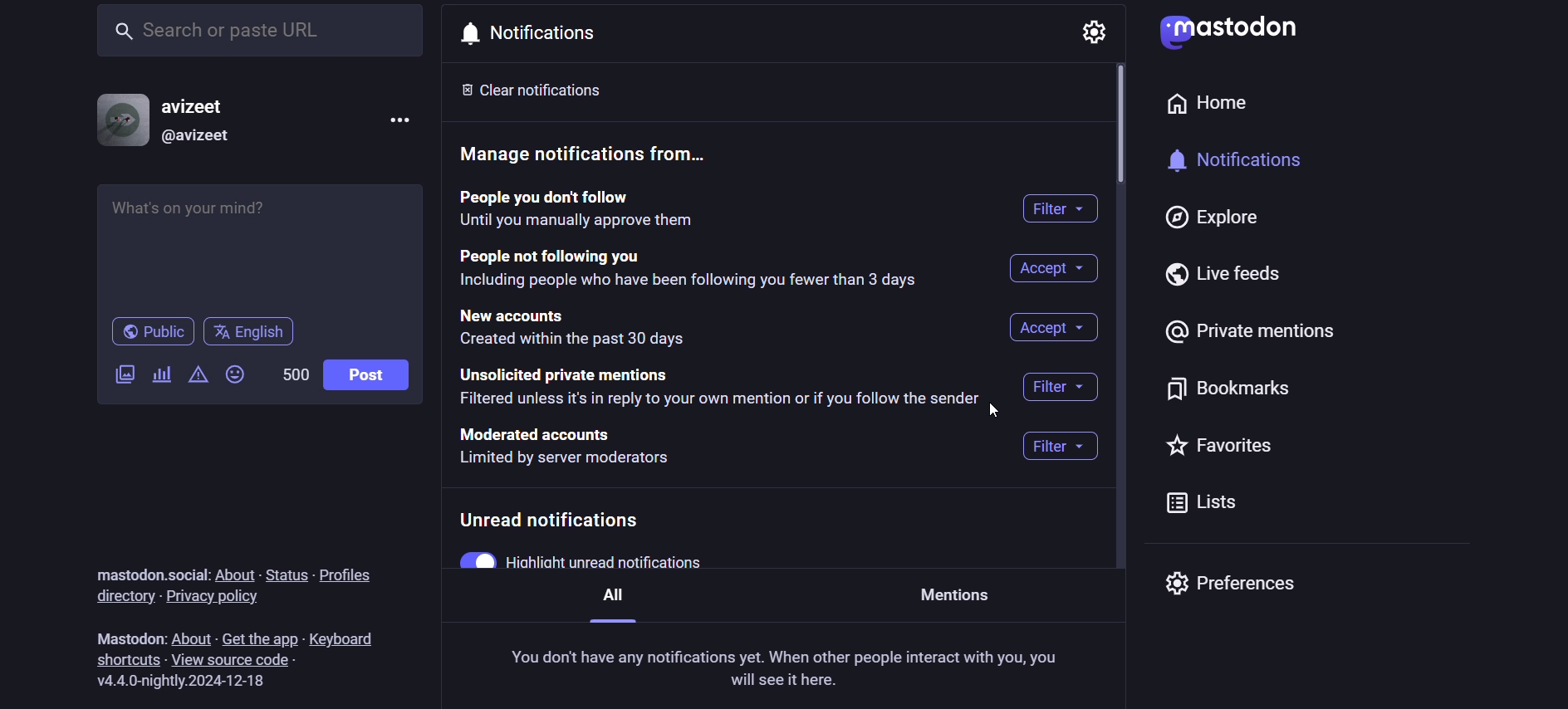 The image size is (1568, 709). Describe the element at coordinates (642, 563) in the screenshot. I see `highlight unread notification` at that location.